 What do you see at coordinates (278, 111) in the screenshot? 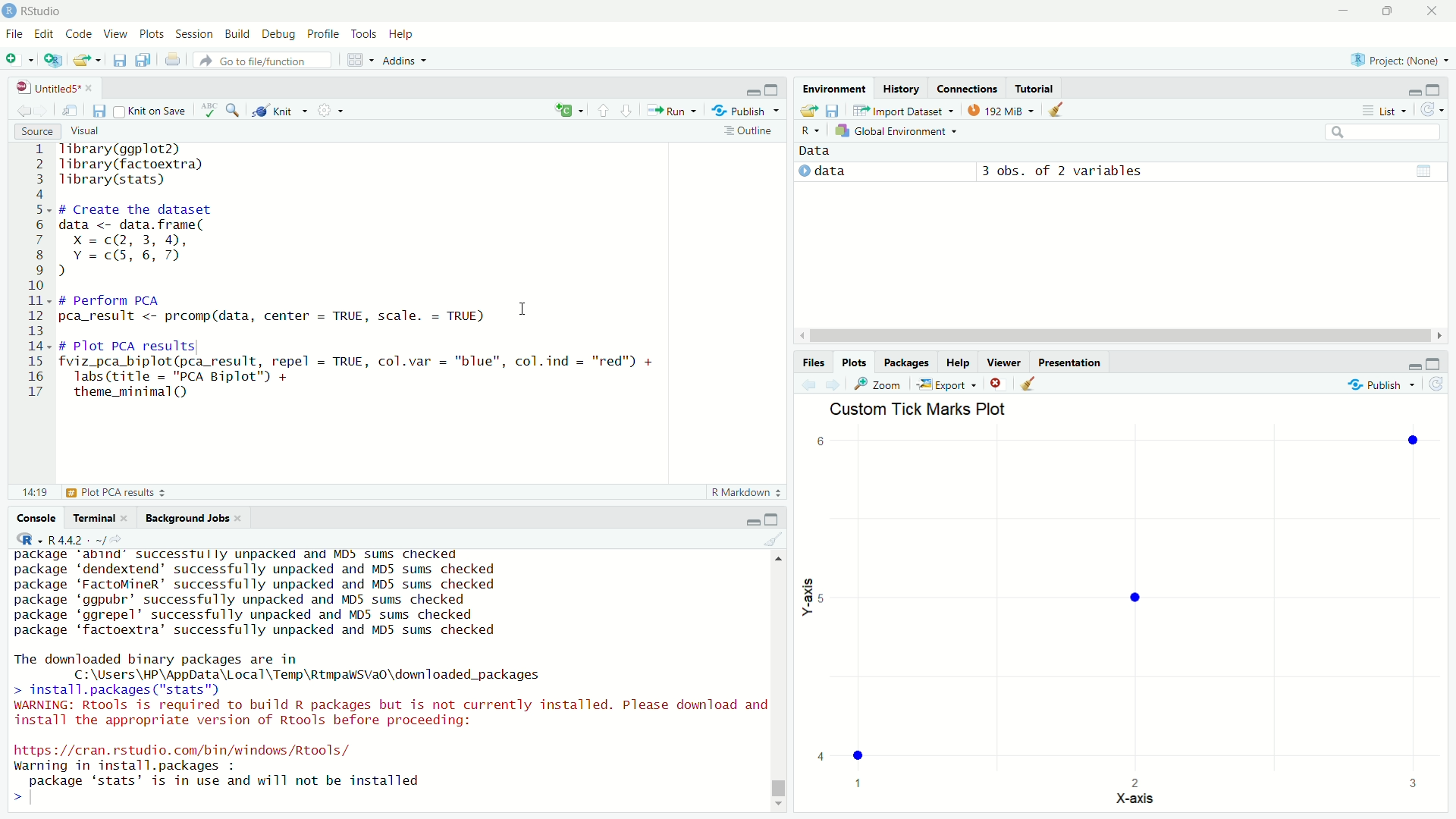
I see `knit` at bounding box center [278, 111].